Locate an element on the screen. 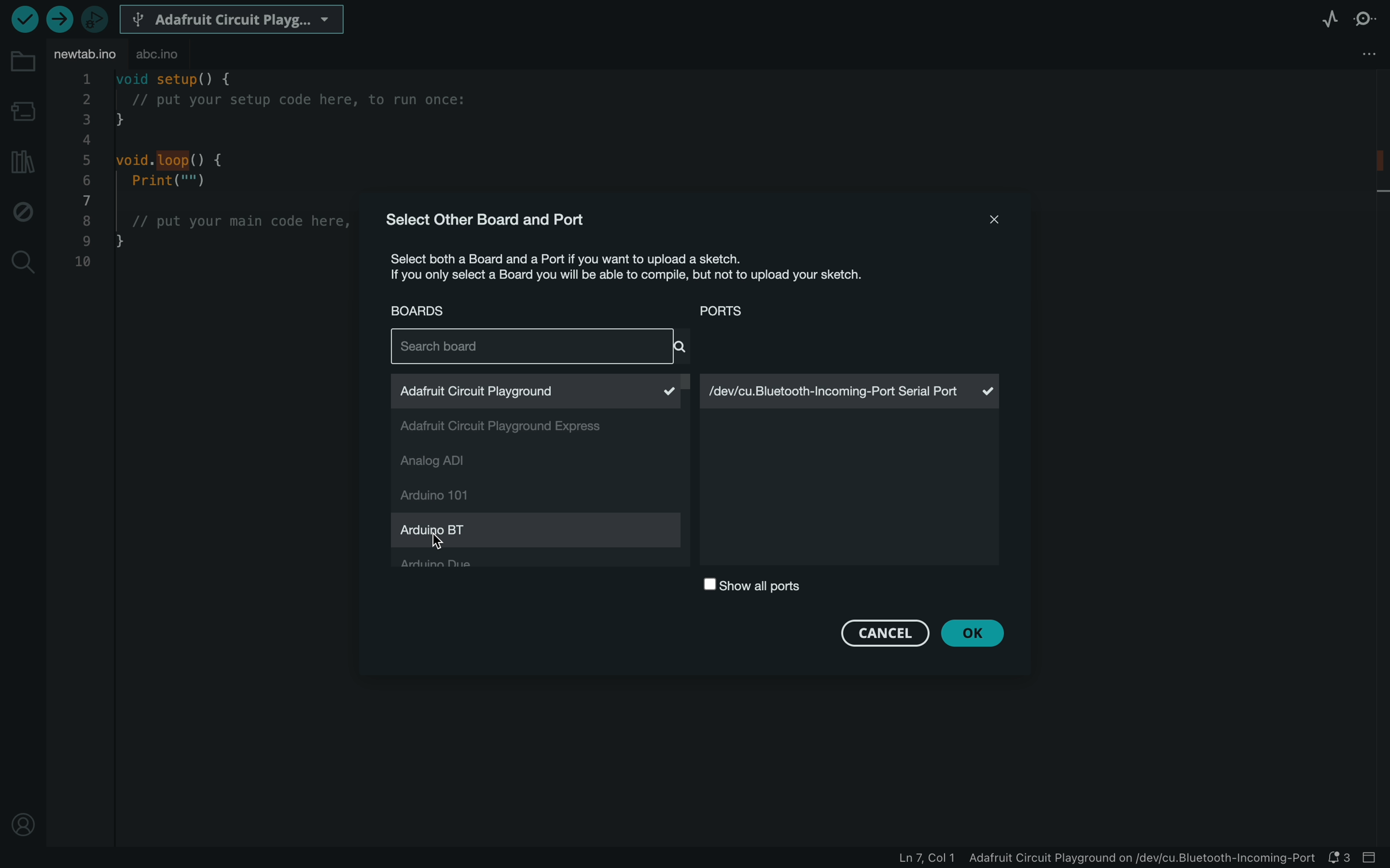 Image resolution: width=1390 pixels, height=868 pixels. adafruit circut is located at coordinates (532, 392).